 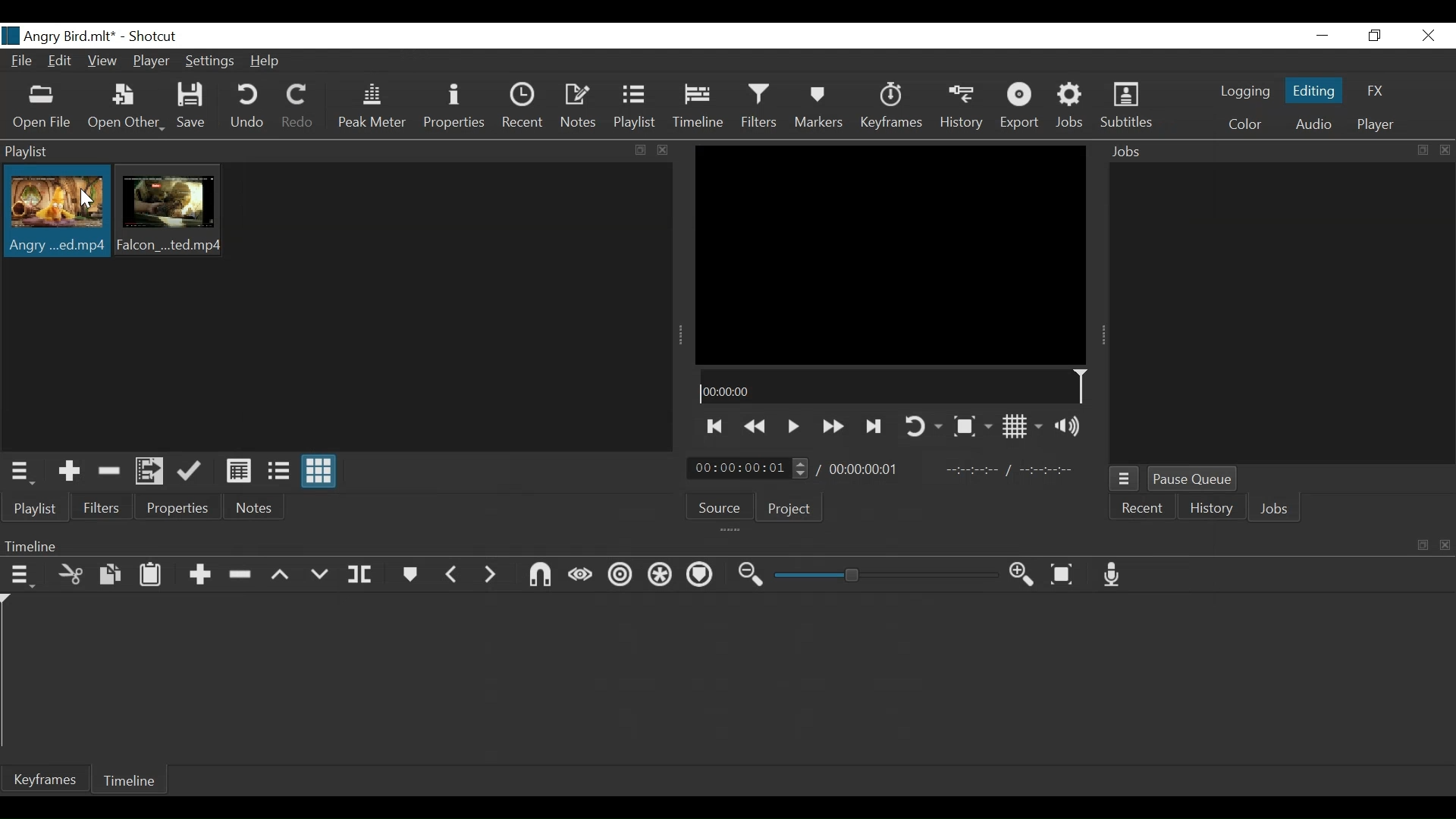 I want to click on Edit, so click(x=62, y=62).